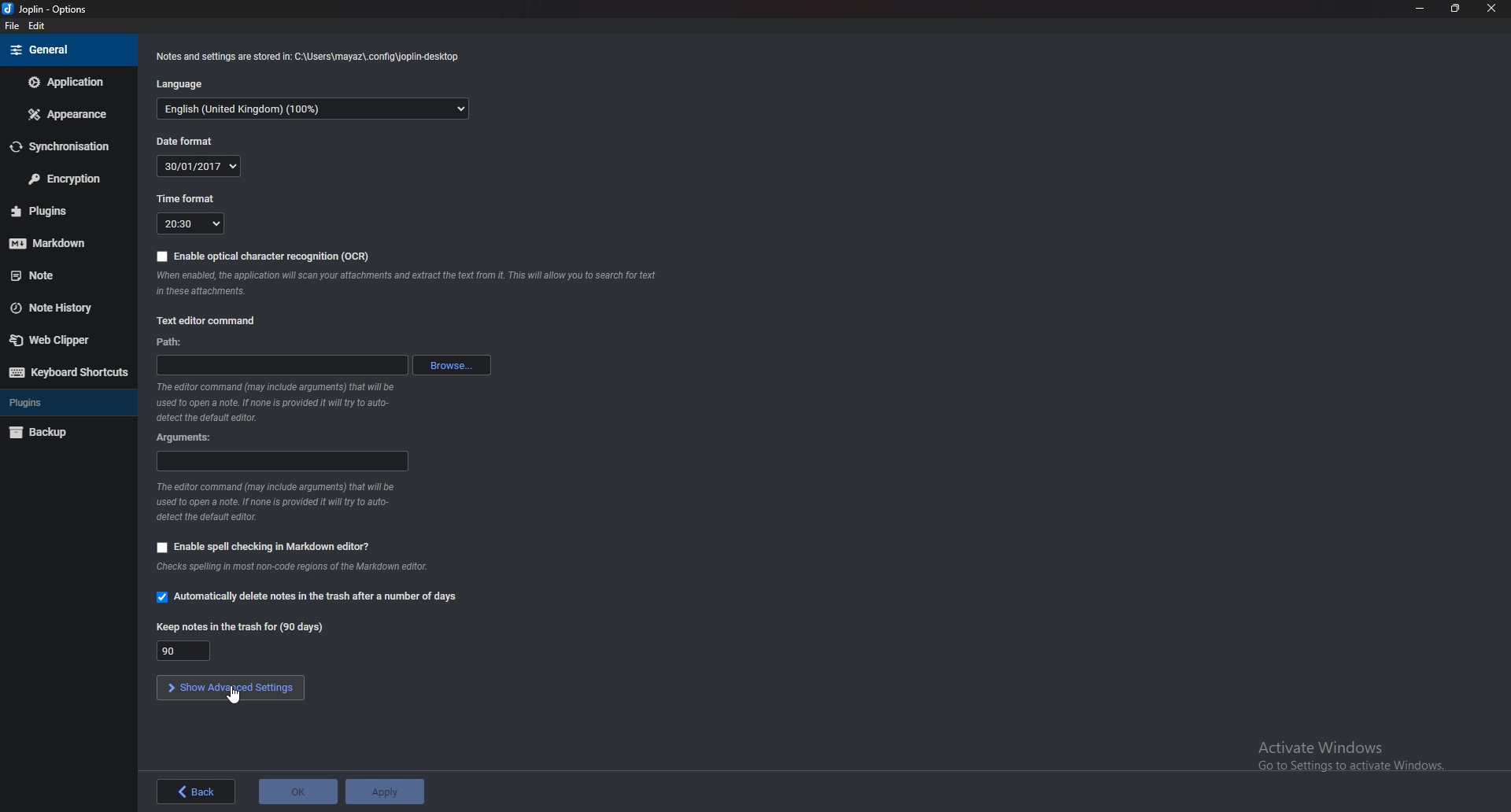 The image size is (1511, 812). I want to click on path, so click(171, 342).